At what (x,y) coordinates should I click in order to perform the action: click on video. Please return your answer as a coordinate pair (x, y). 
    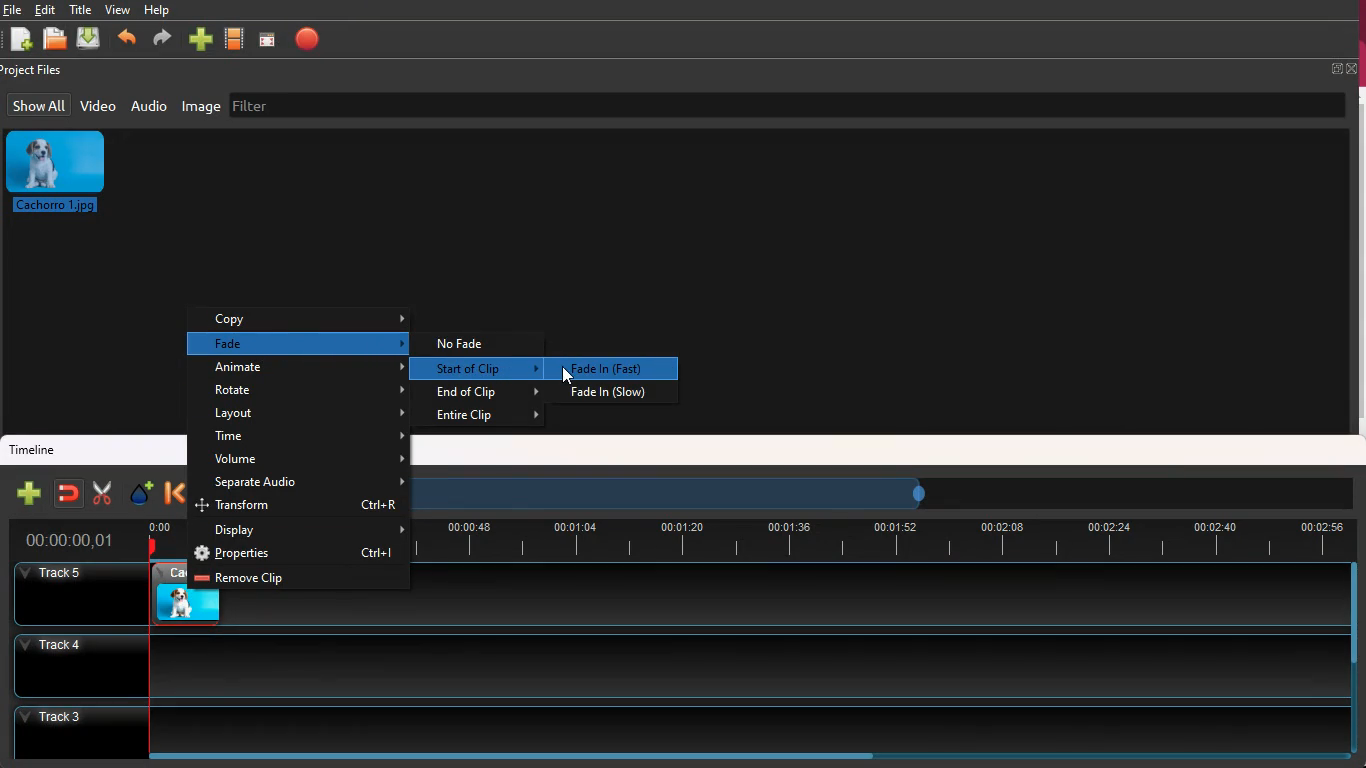
    Looking at the image, I should click on (99, 105).